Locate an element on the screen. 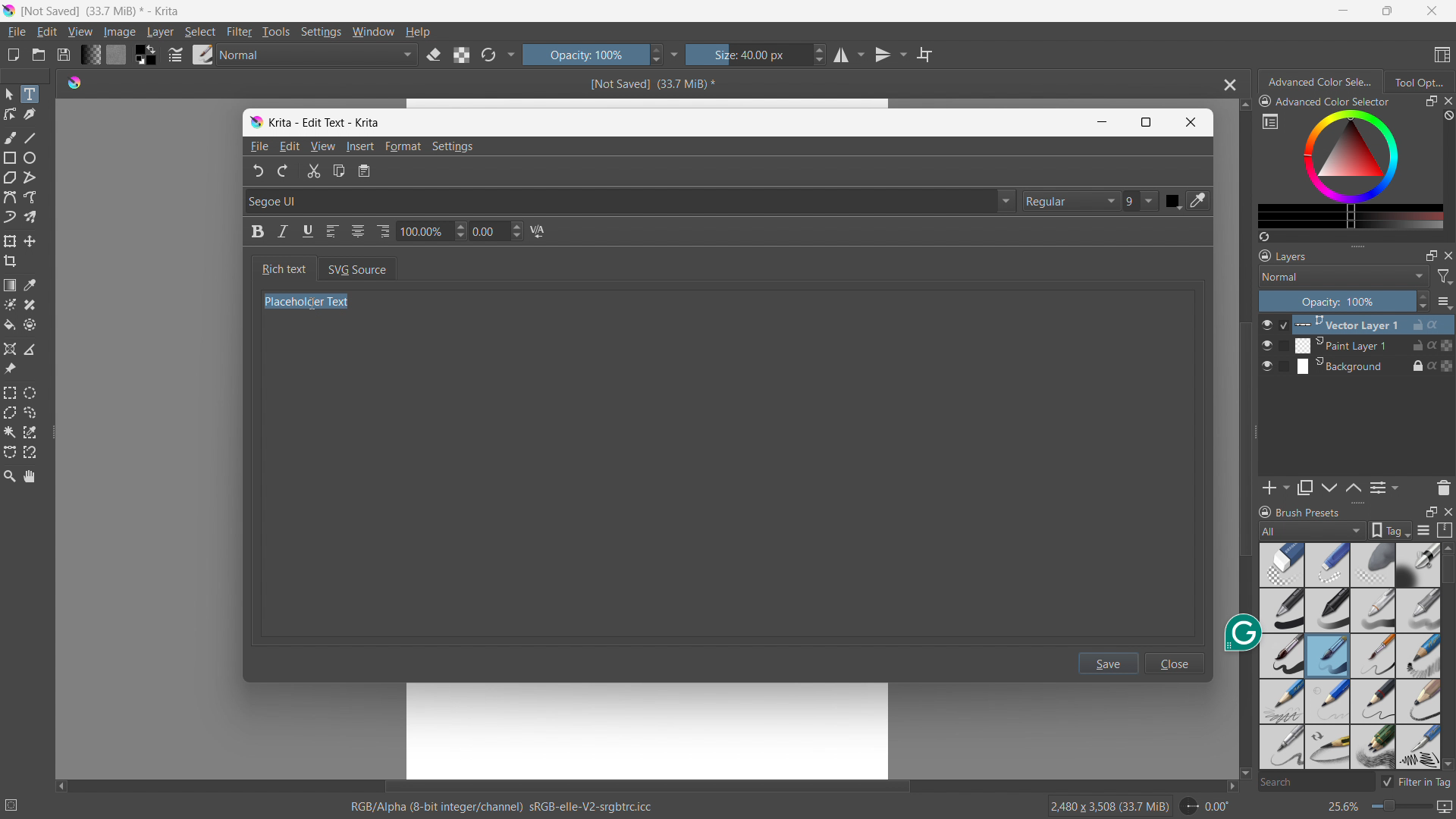  pick color is located at coordinates (1196, 201).